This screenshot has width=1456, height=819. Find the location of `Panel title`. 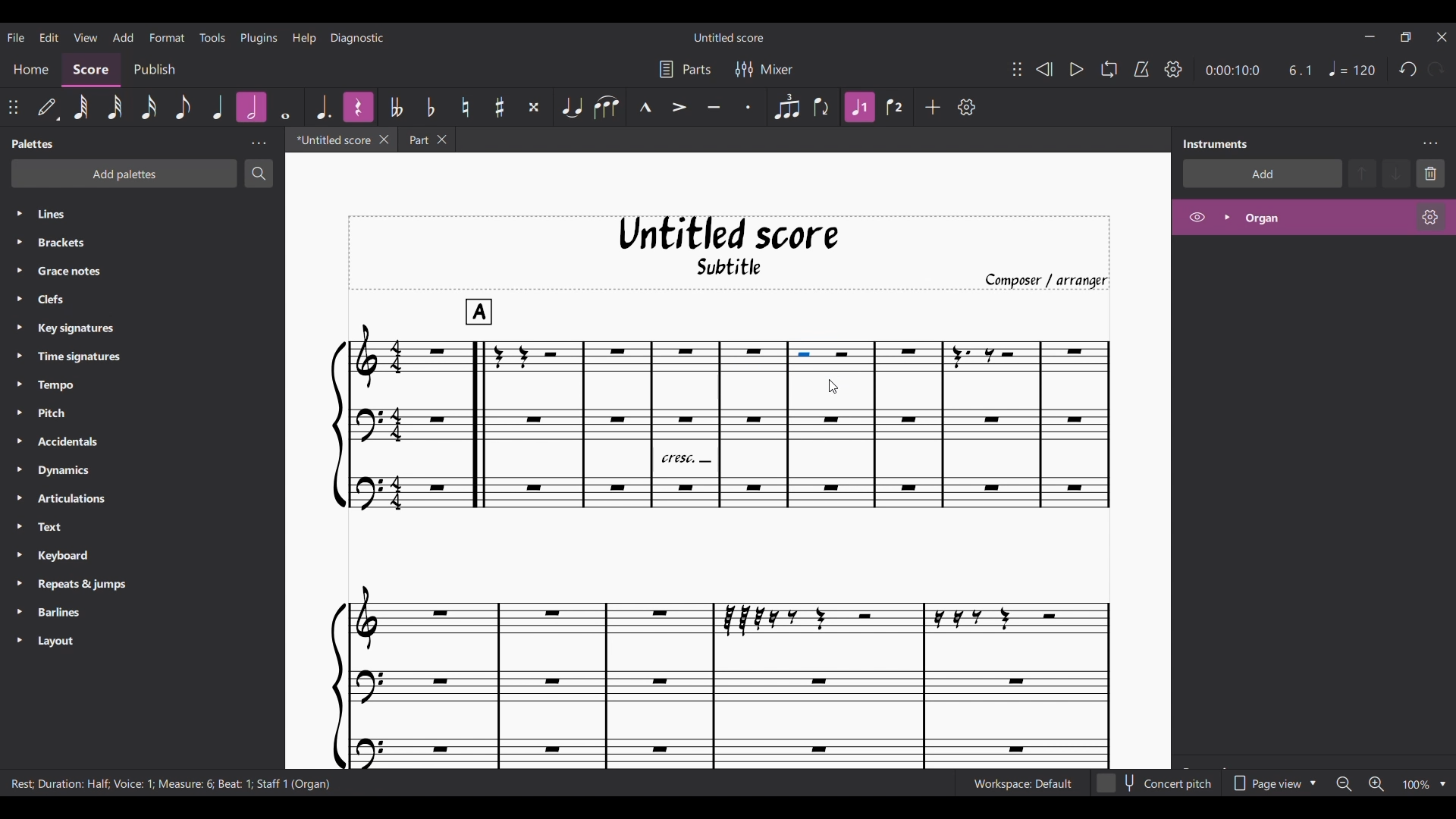

Panel title is located at coordinates (1216, 143).